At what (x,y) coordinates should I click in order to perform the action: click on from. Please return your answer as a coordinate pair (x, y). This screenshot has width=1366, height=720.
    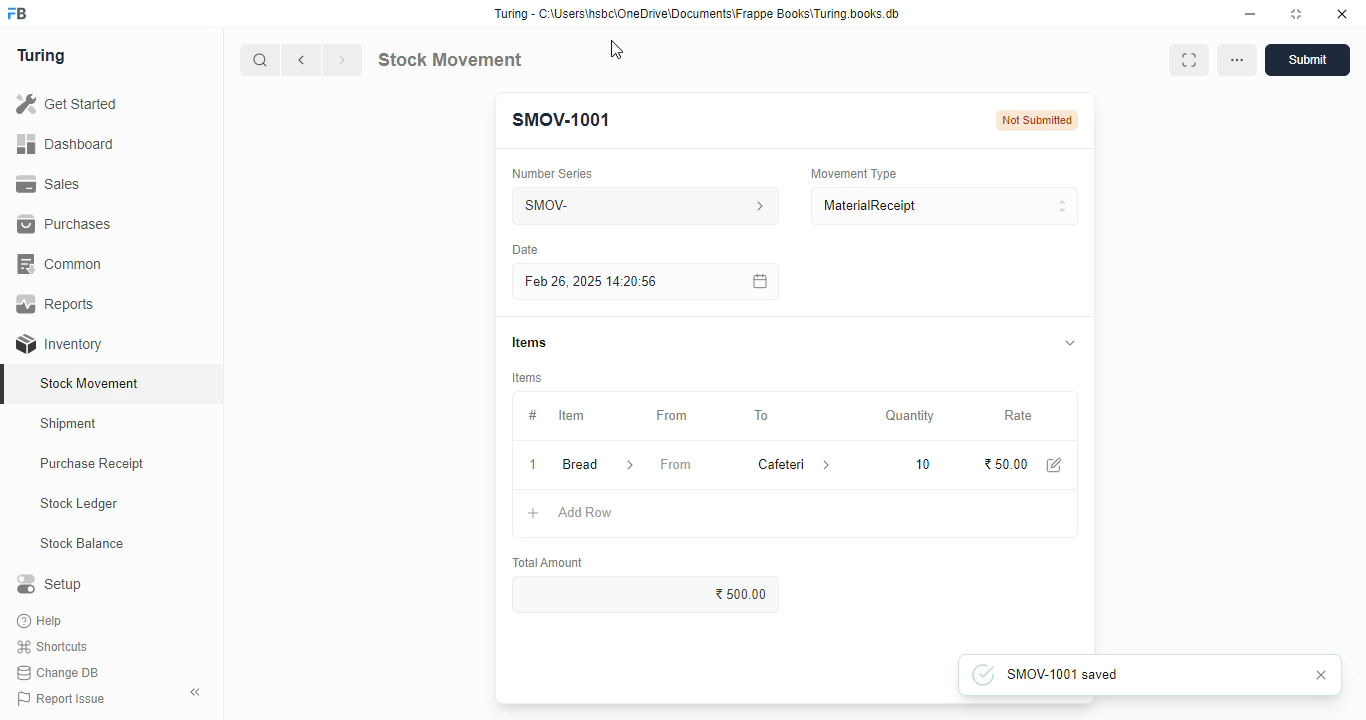
    Looking at the image, I should click on (676, 464).